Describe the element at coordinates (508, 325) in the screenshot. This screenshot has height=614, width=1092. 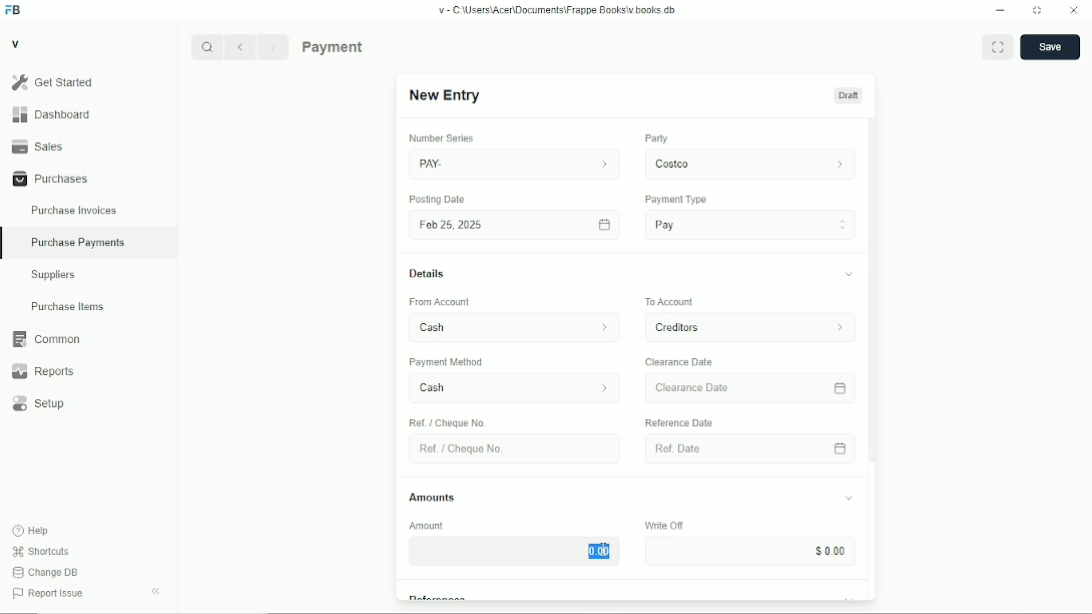
I see `From Account` at that location.